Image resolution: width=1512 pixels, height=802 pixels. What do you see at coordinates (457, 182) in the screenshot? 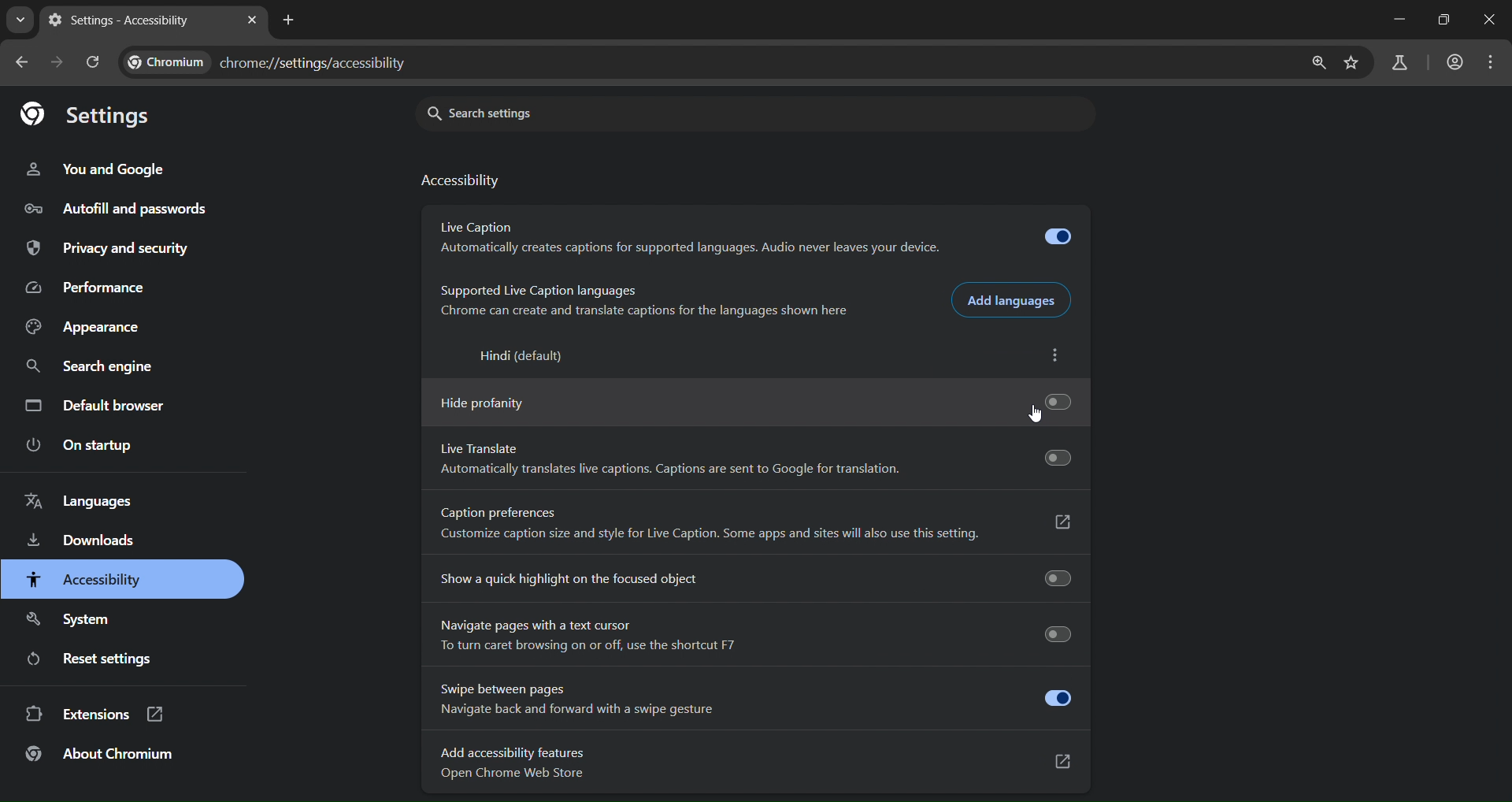
I see `accessibility` at bounding box center [457, 182].